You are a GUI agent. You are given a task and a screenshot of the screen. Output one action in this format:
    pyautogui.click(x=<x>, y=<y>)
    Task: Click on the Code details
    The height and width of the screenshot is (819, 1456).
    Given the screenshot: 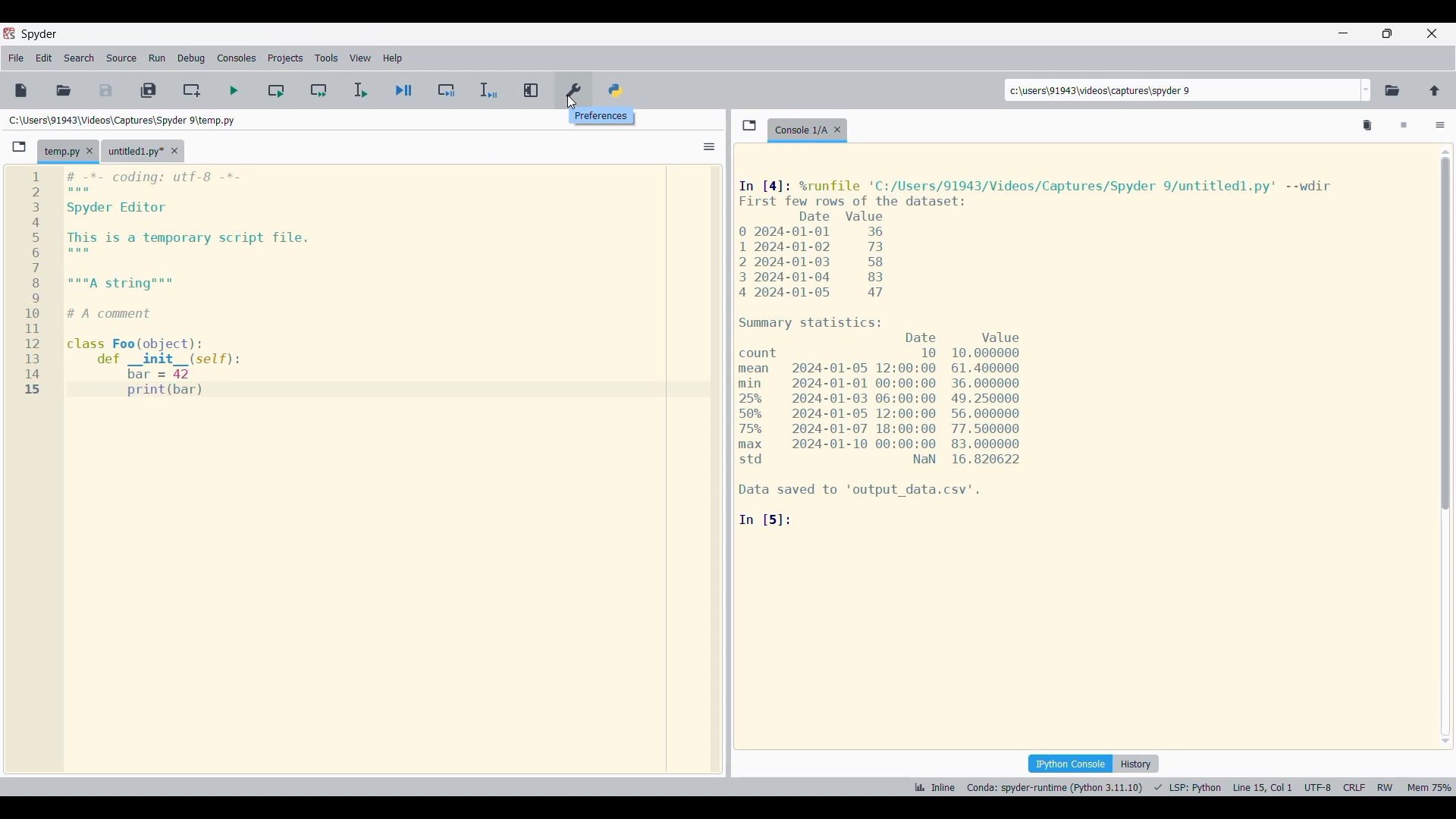 What is the action you would take?
    pyautogui.click(x=1072, y=355)
    